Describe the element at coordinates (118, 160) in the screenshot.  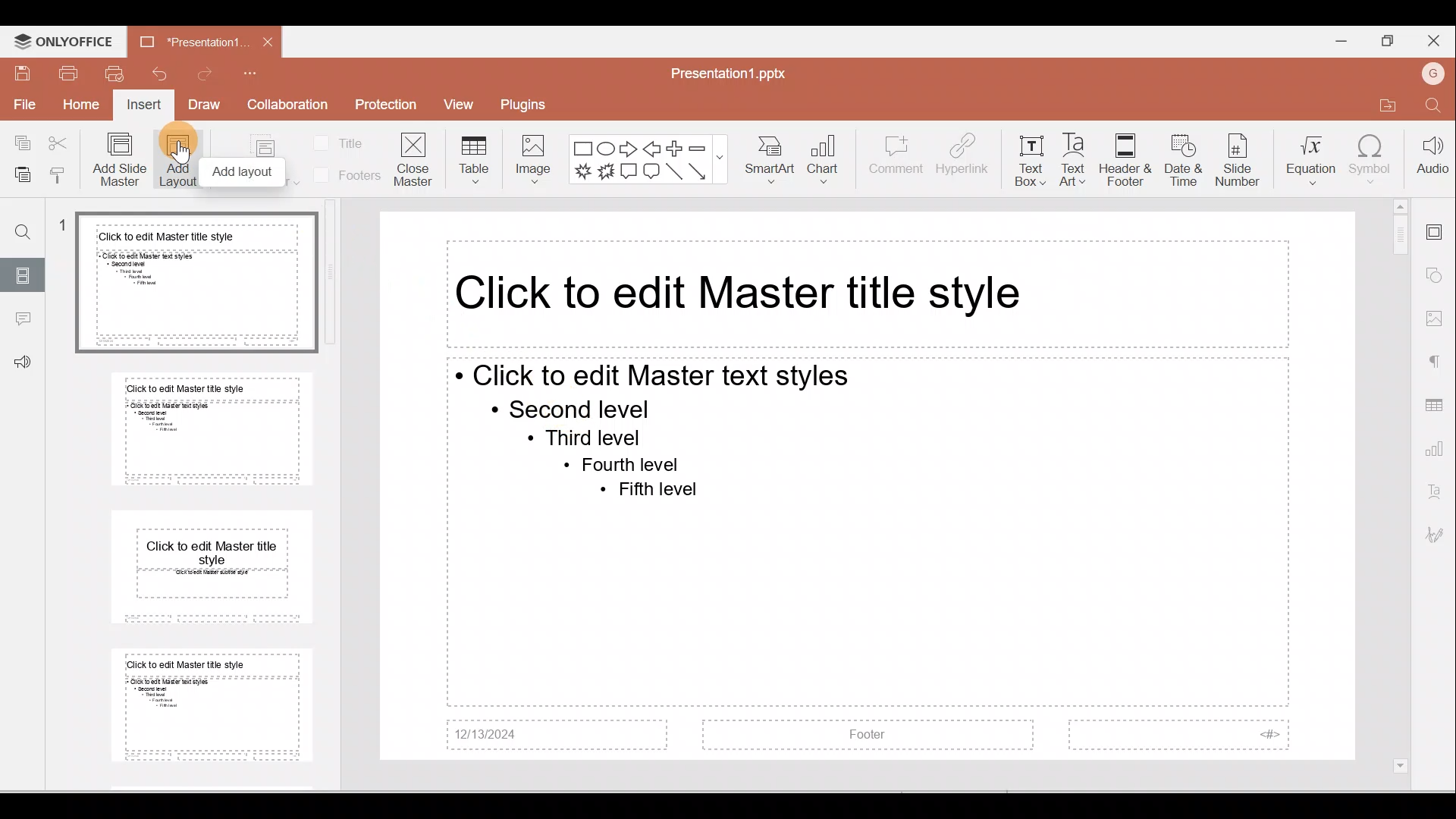
I see `Add slide master` at that location.